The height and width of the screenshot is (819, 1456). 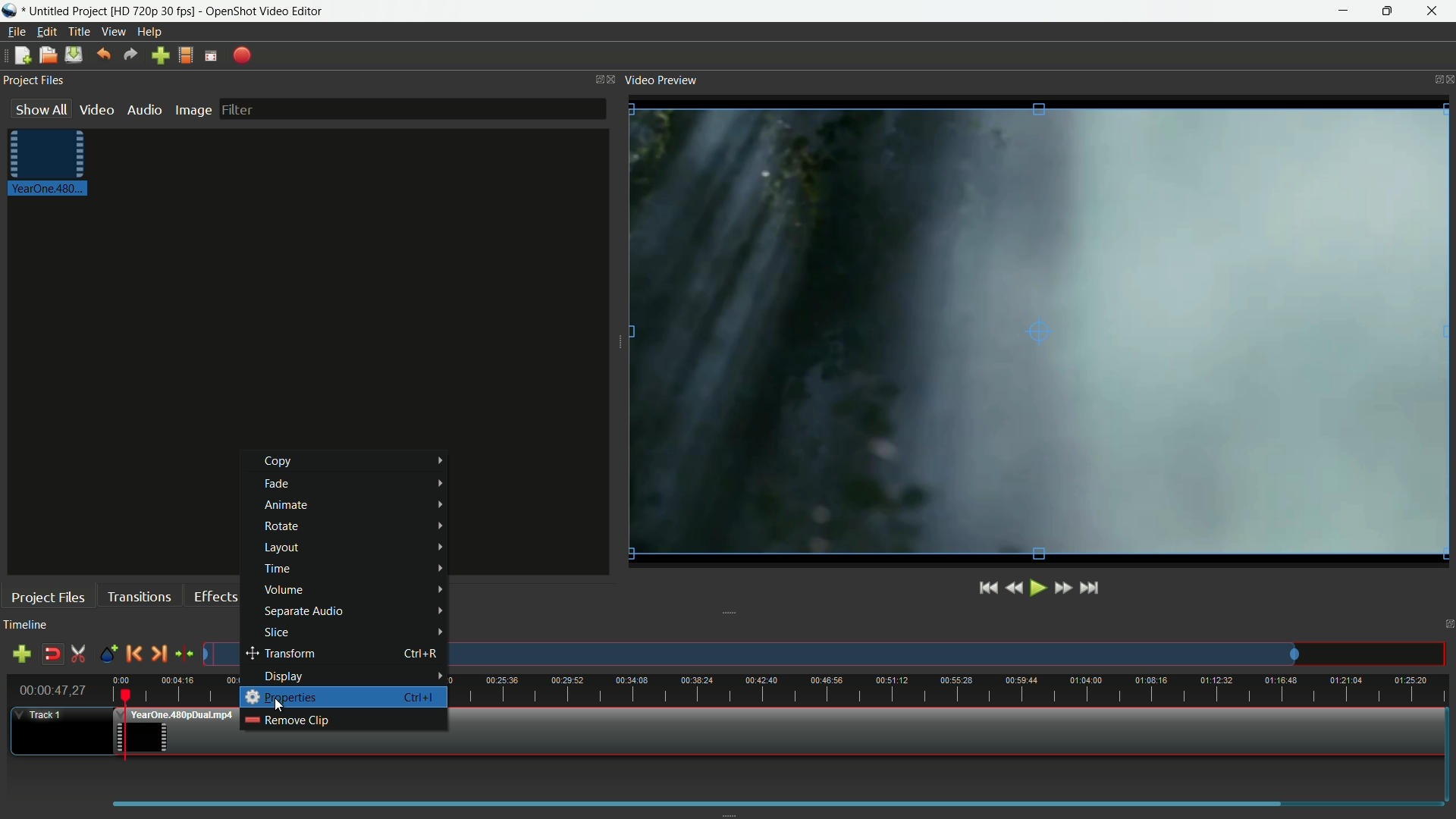 What do you see at coordinates (49, 598) in the screenshot?
I see `project files` at bounding box center [49, 598].